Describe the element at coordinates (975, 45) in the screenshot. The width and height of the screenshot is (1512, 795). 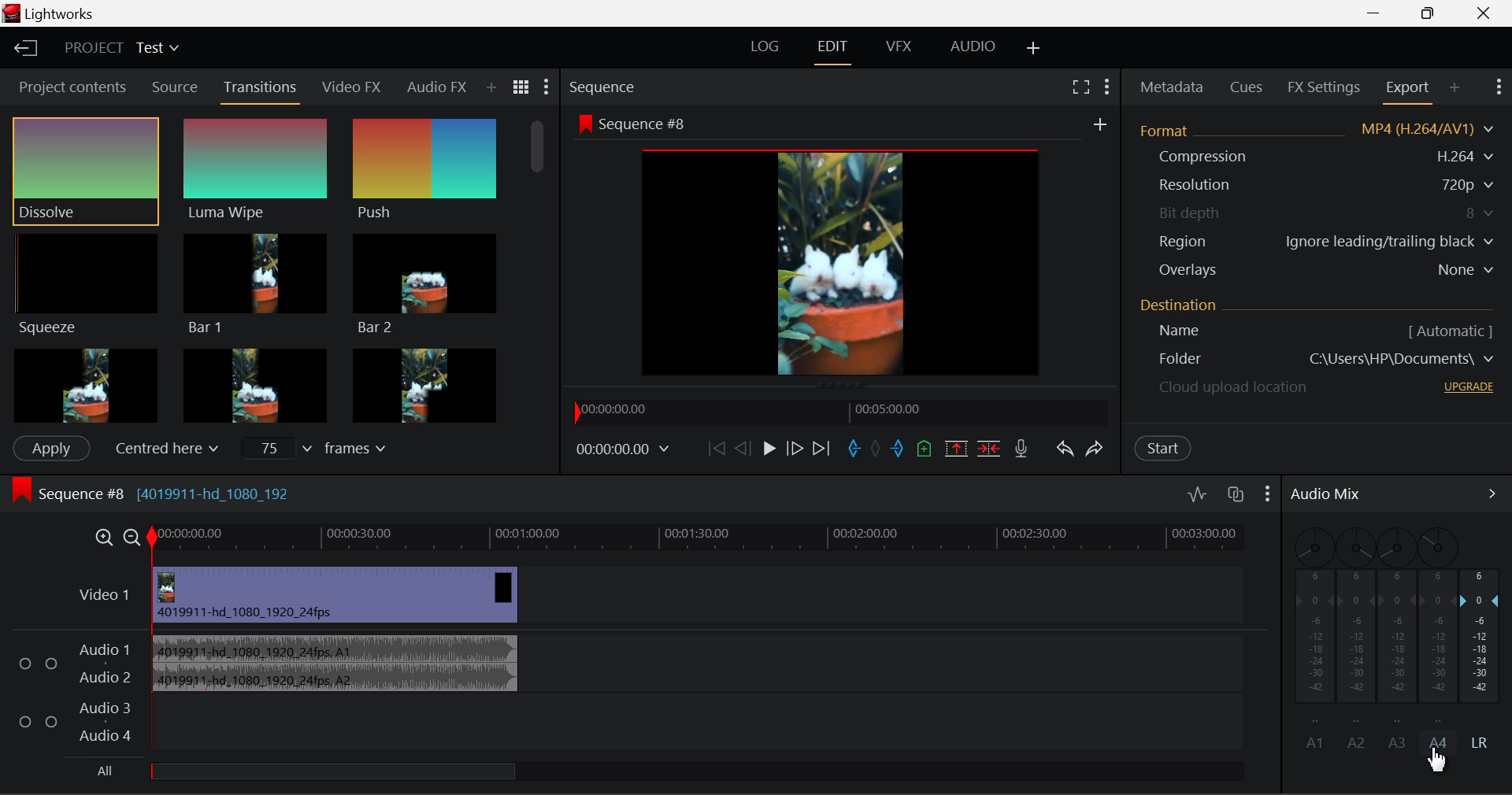
I see `AUDIO Layout` at that location.